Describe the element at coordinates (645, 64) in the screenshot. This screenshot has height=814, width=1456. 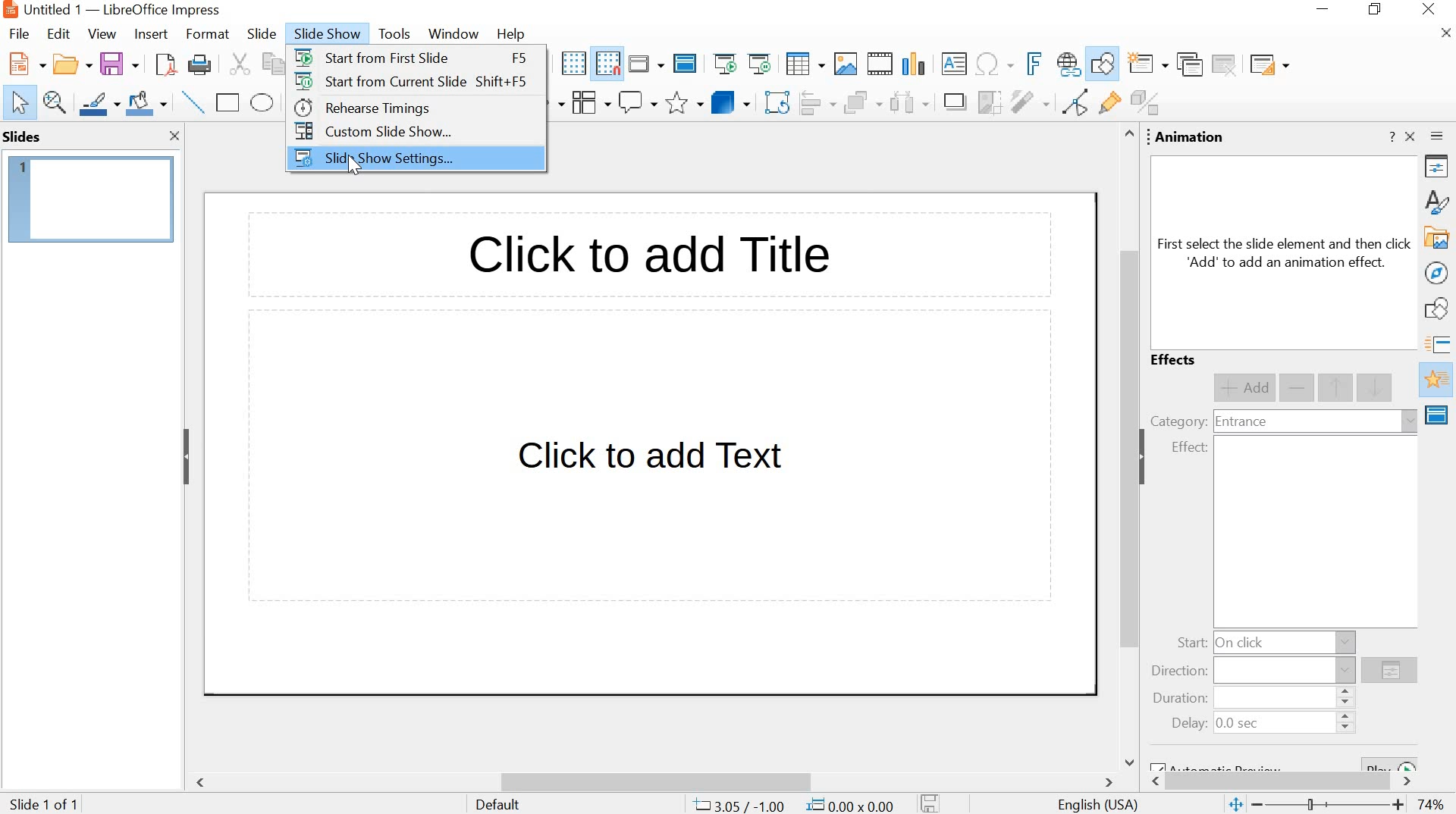
I see `display views` at that location.